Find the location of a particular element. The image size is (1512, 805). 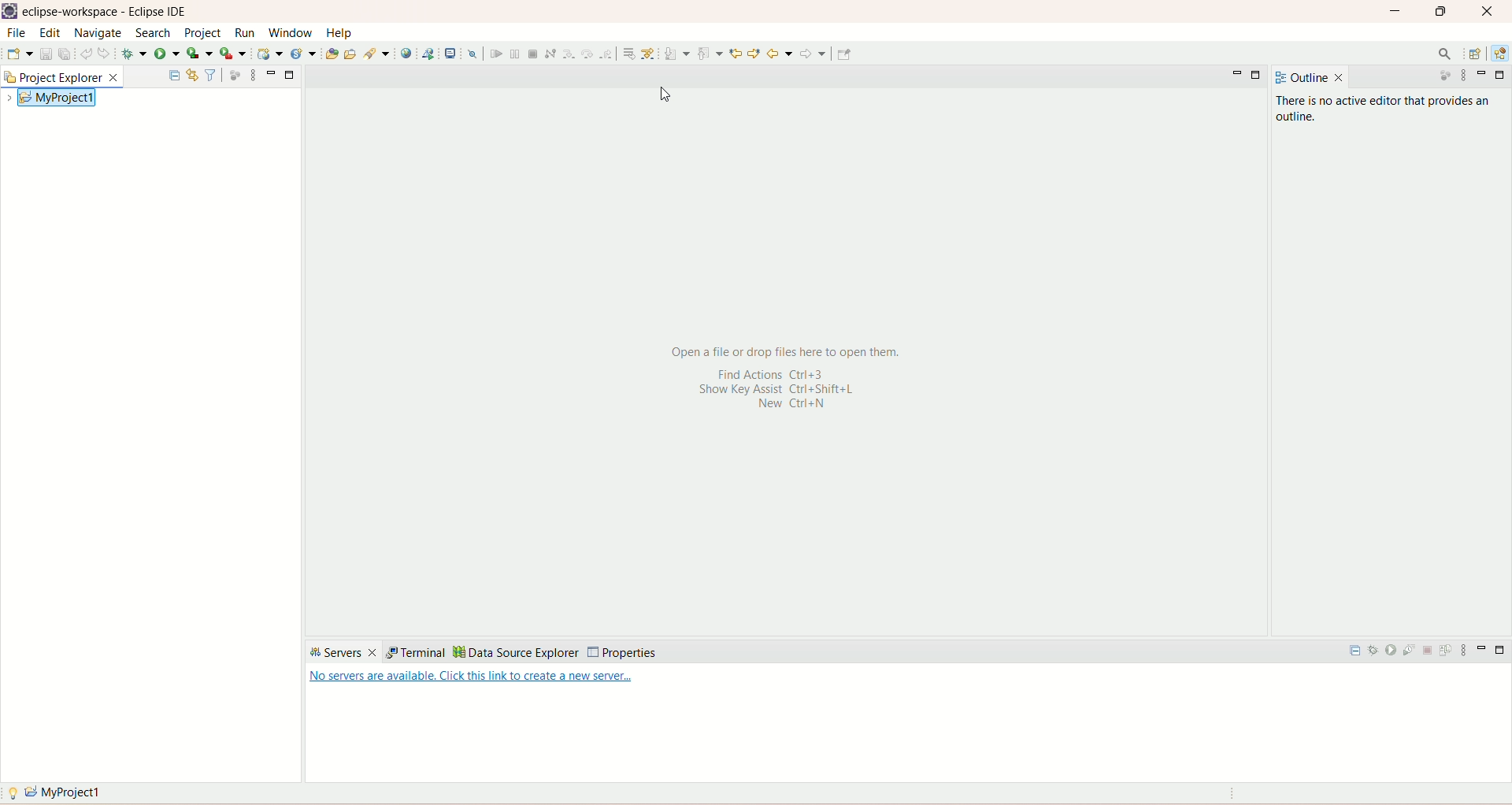

disconnect is located at coordinates (550, 53).